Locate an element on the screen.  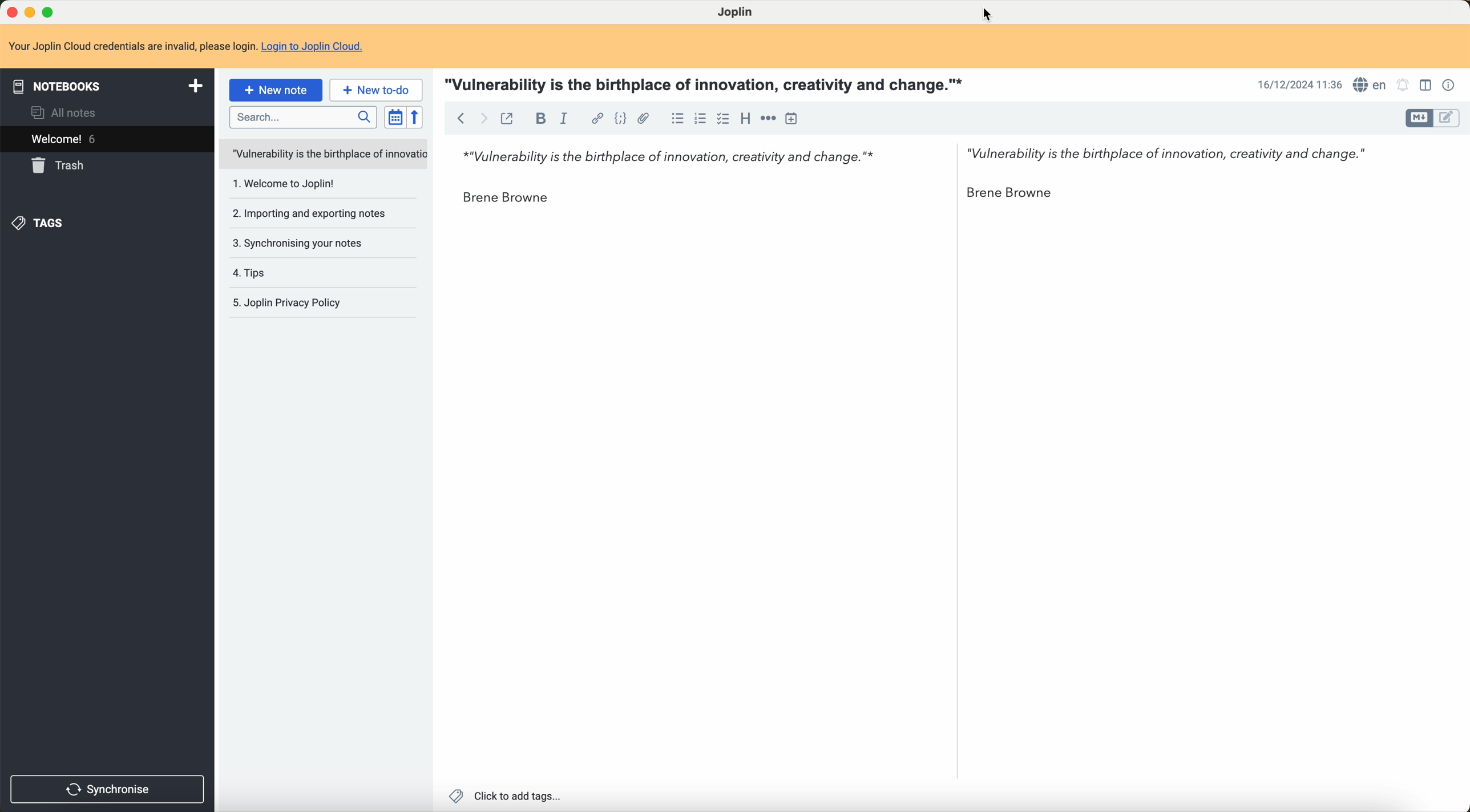
Joplin is located at coordinates (737, 13).